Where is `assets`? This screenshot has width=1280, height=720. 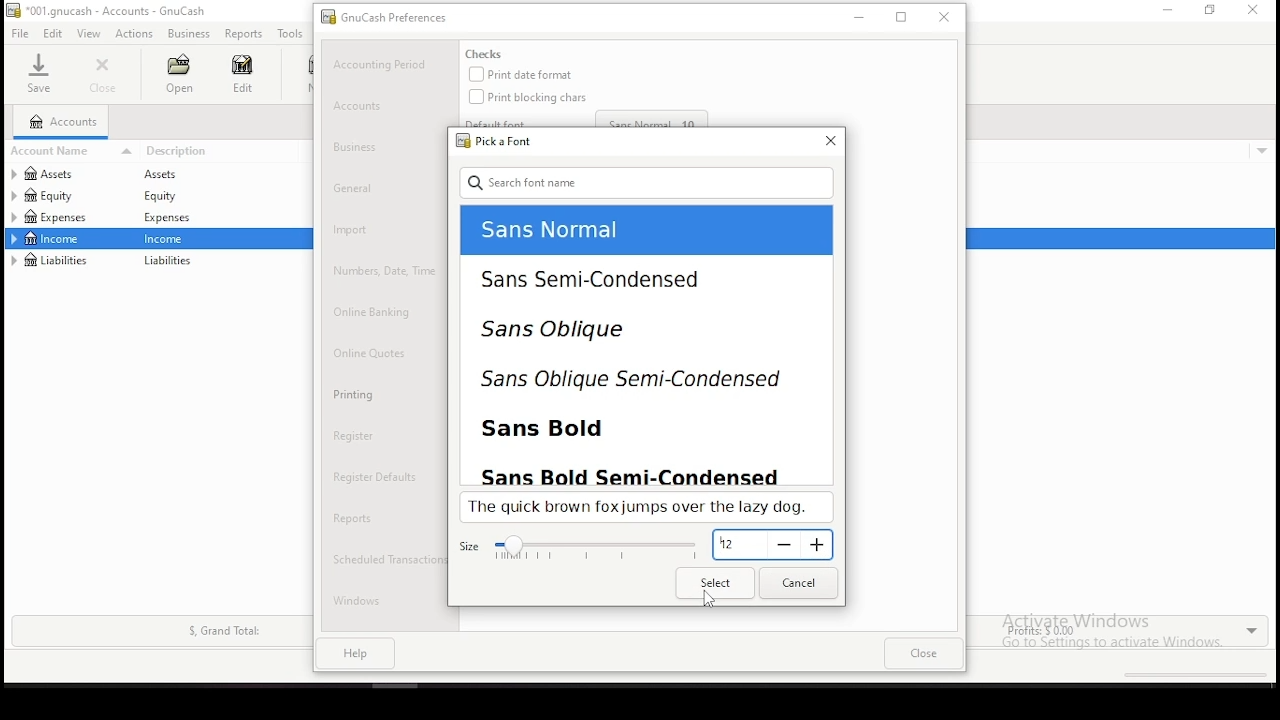 assets is located at coordinates (170, 175).